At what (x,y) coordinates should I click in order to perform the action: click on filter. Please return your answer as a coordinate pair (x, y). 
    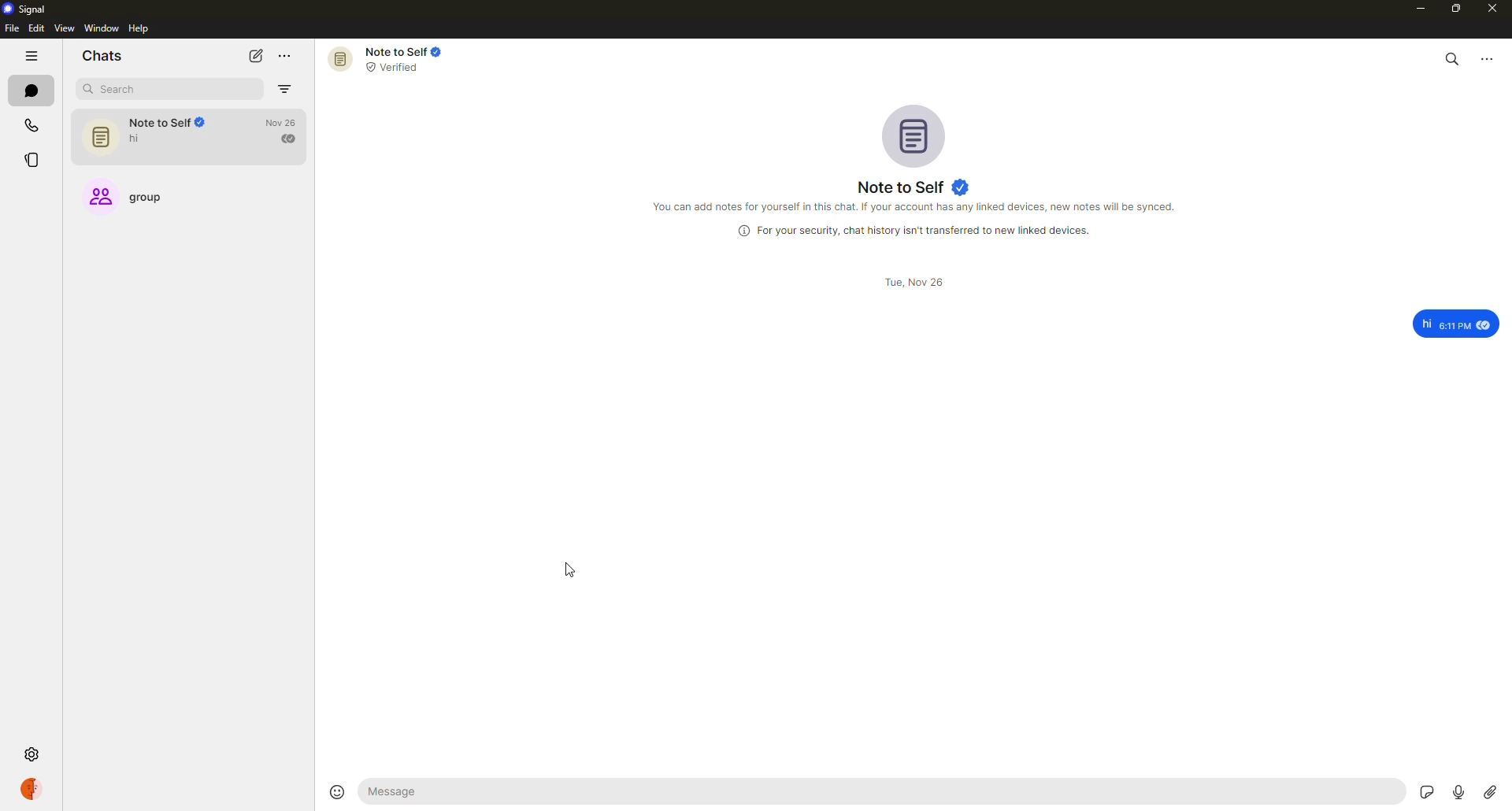
    Looking at the image, I should click on (286, 90).